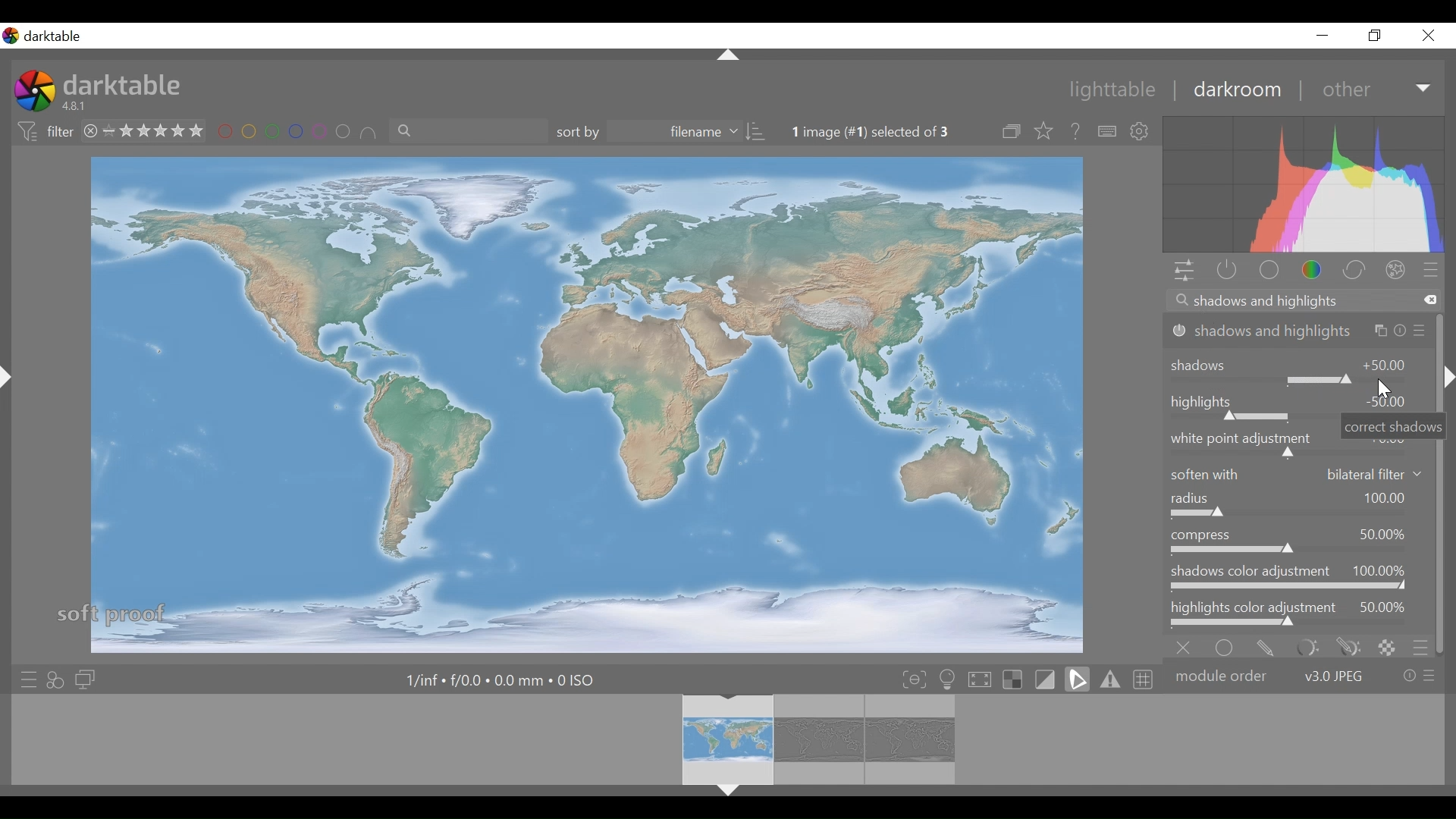 The image size is (1456, 819). Describe the element at coordinates (33, 93) in the screenshot. I see `Darktable Desktop Icon` at that location.